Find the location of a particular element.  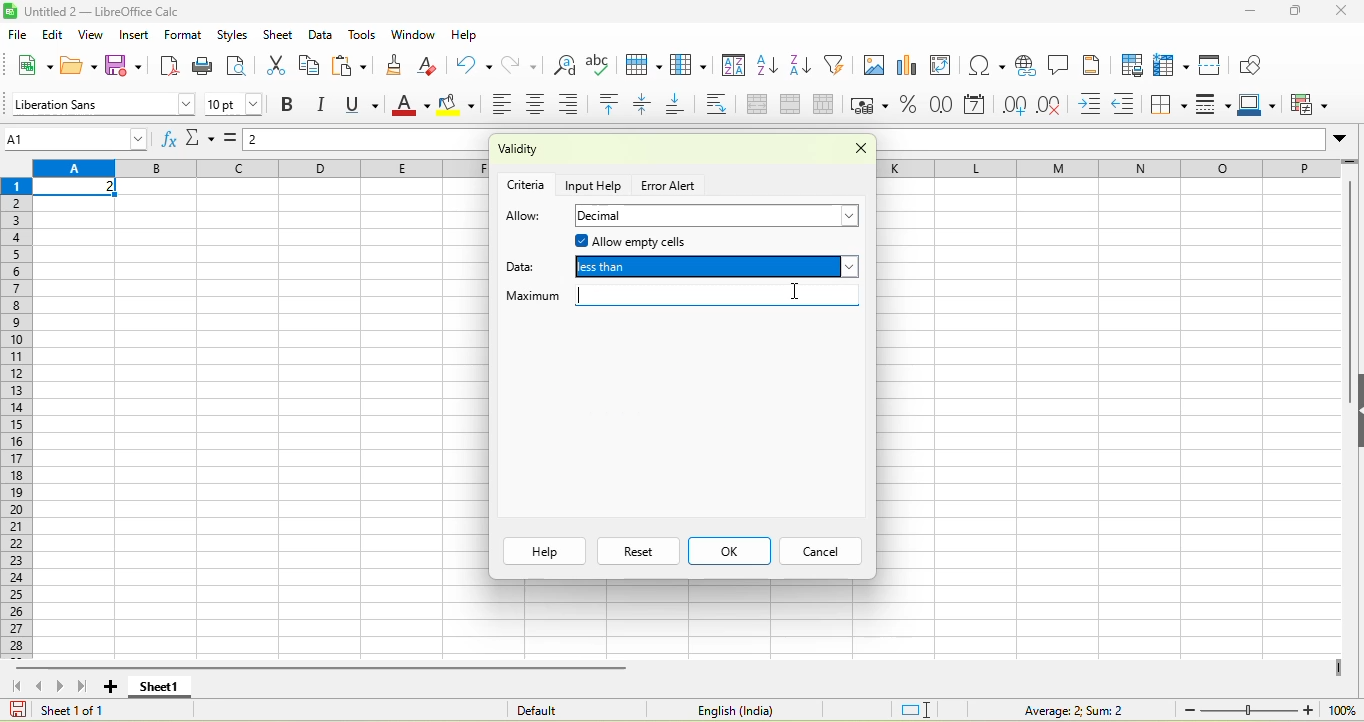

formula bar is located at coordinates (368, 142).